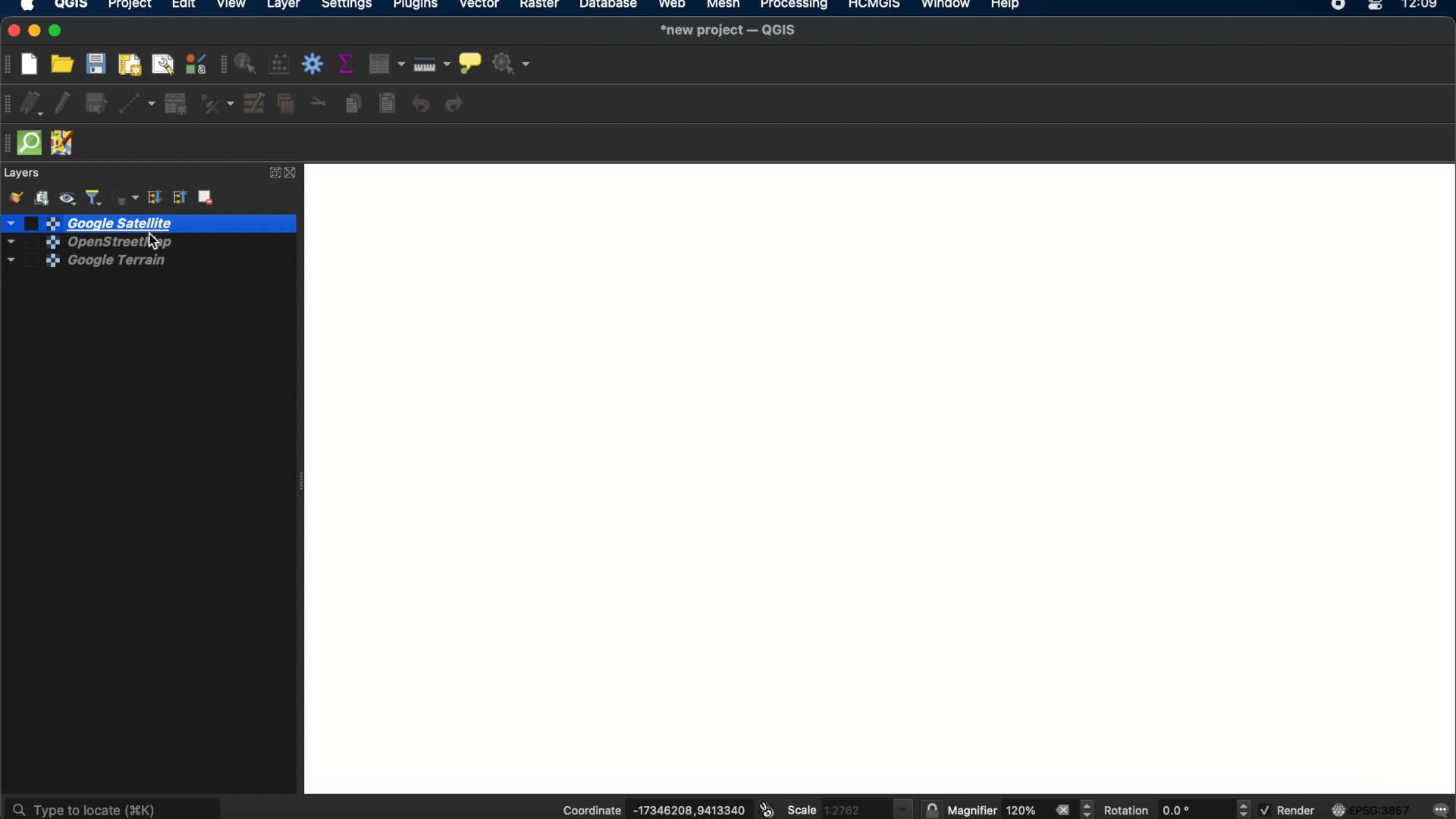 This screenshot has width=1456, height=819. I want to click on edit, so click(183, 7).